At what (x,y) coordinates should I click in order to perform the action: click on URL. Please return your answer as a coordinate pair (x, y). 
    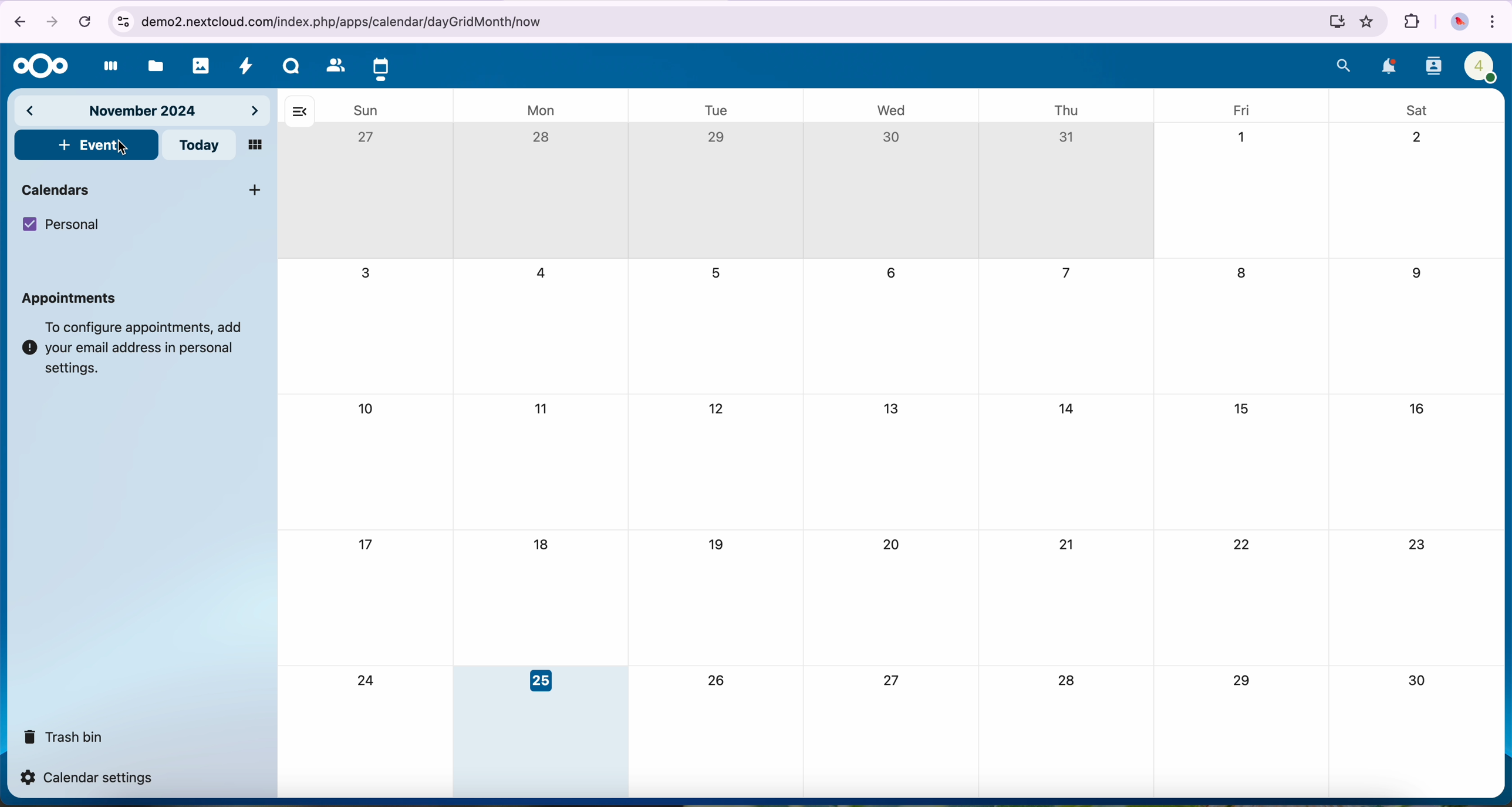
    Looking at the image, I should click on (350, 22).